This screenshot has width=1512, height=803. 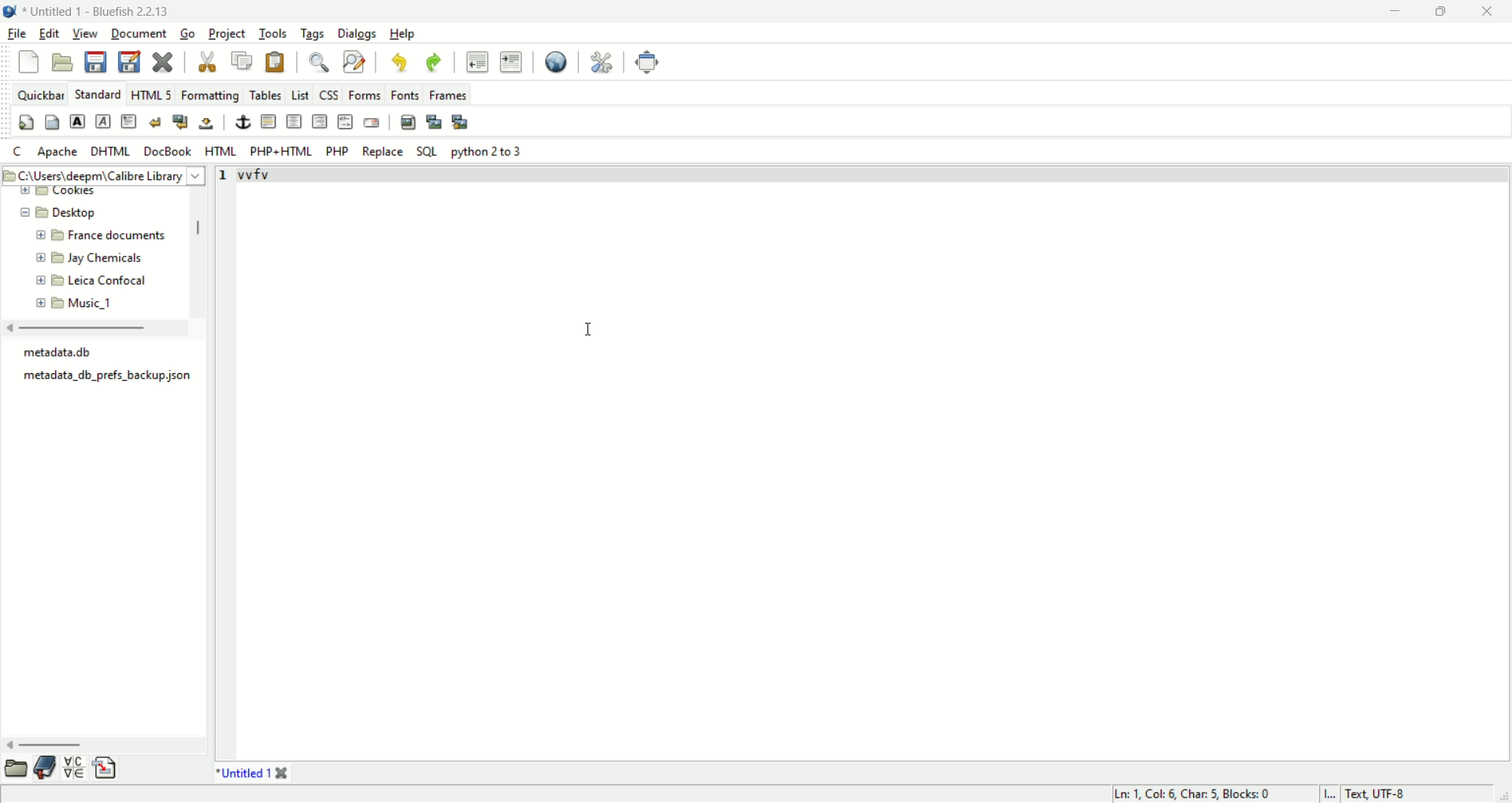 What do you see at coordinates (407, 94) in the screenshot?
I see `fonts` at bounding box center [407, 94].